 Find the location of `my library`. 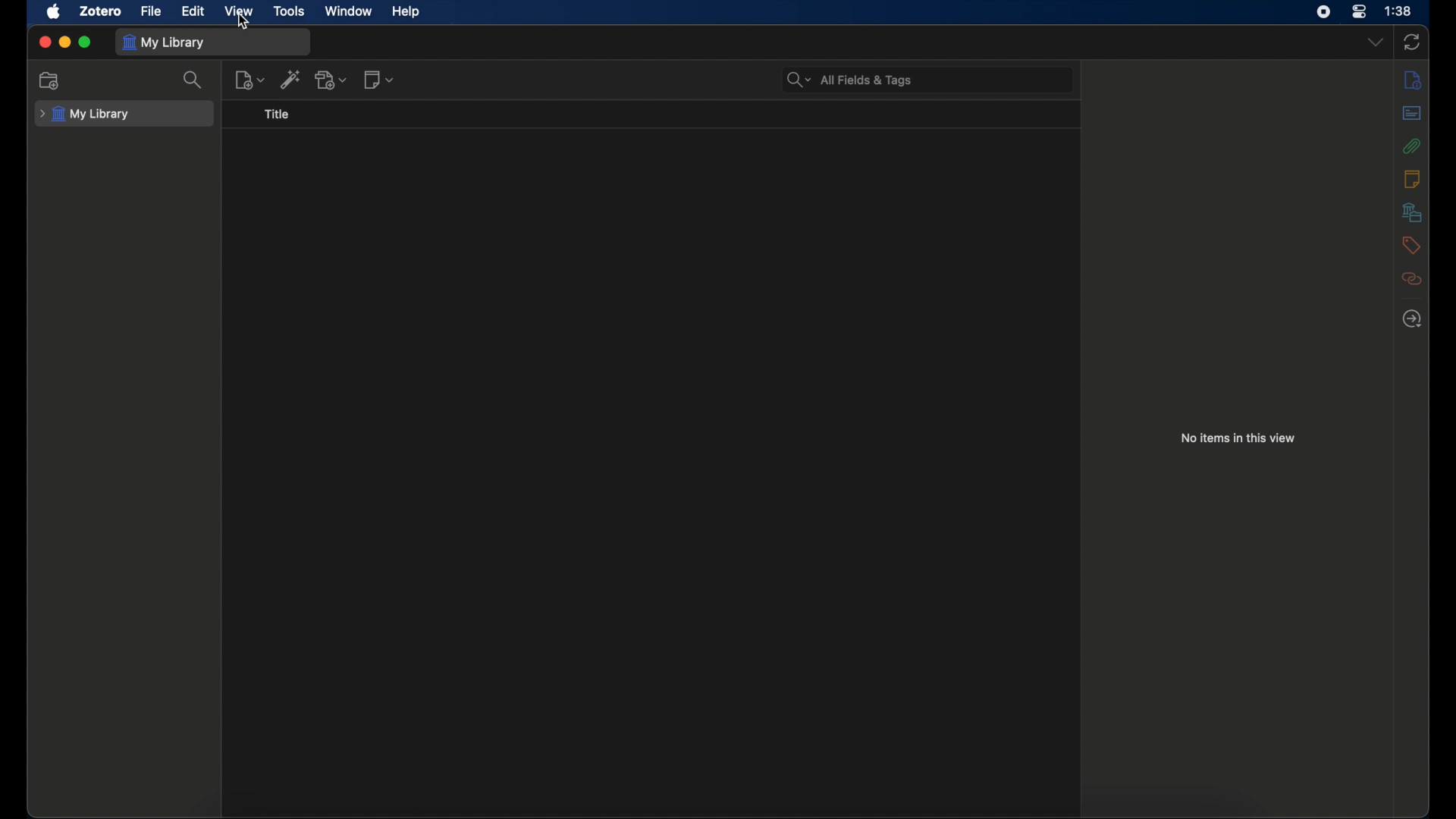

my library is located at coordinates (165, 41).